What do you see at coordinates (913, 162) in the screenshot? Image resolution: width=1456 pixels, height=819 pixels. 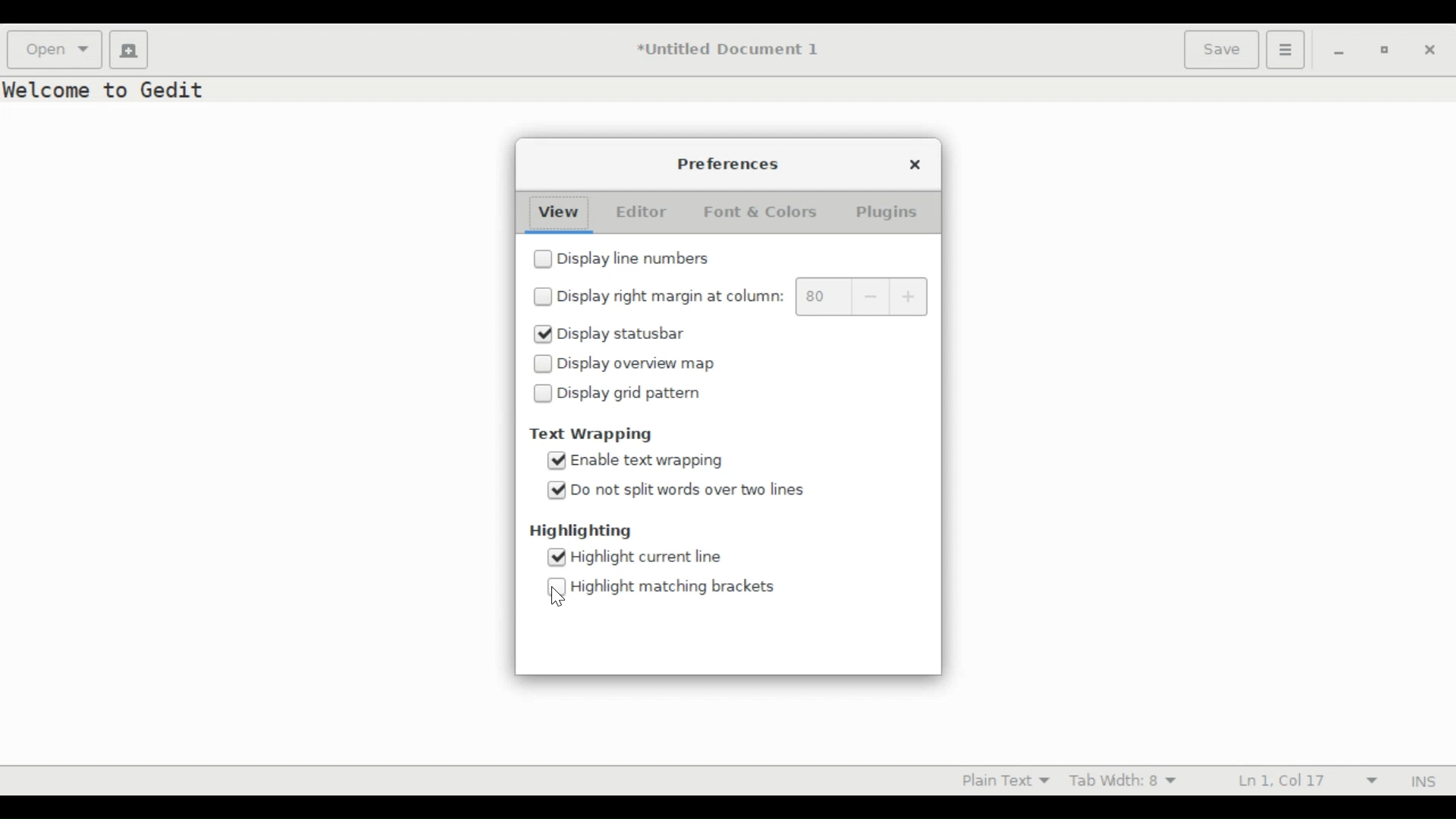 I see `Close` at bounding box center [913, 162].